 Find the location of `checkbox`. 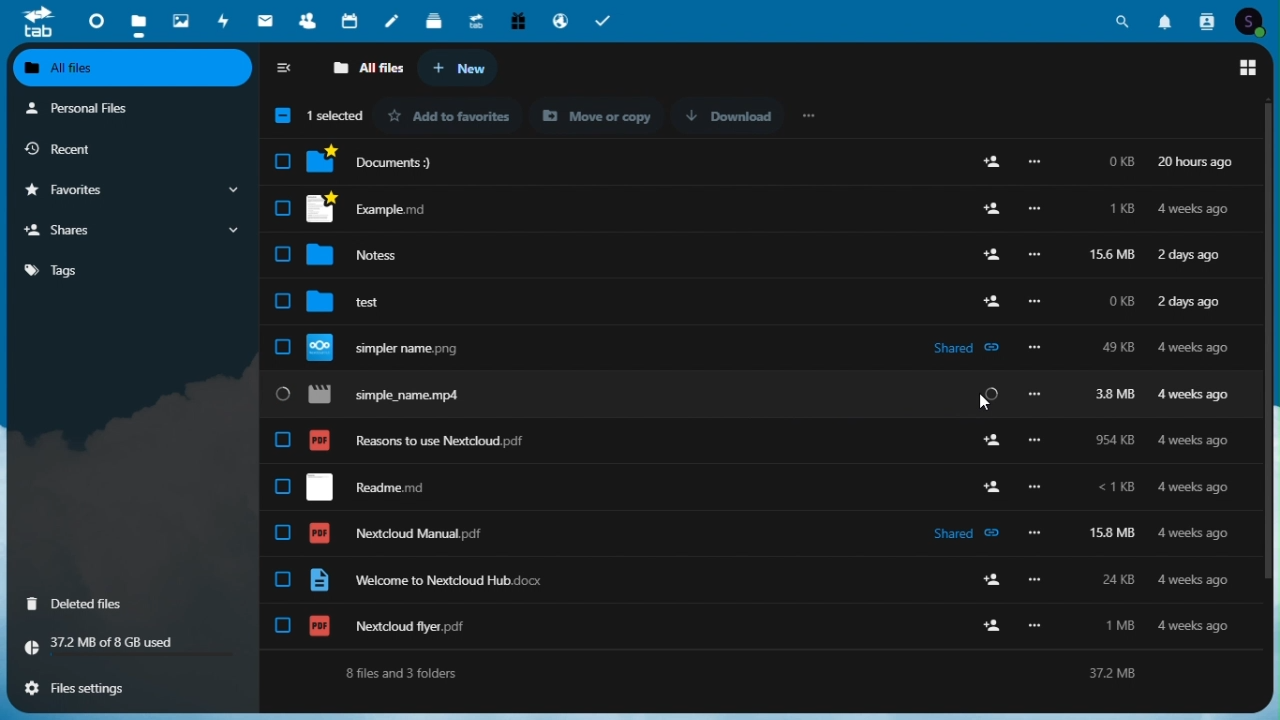

checkbox is located at coordinates (284, 113).